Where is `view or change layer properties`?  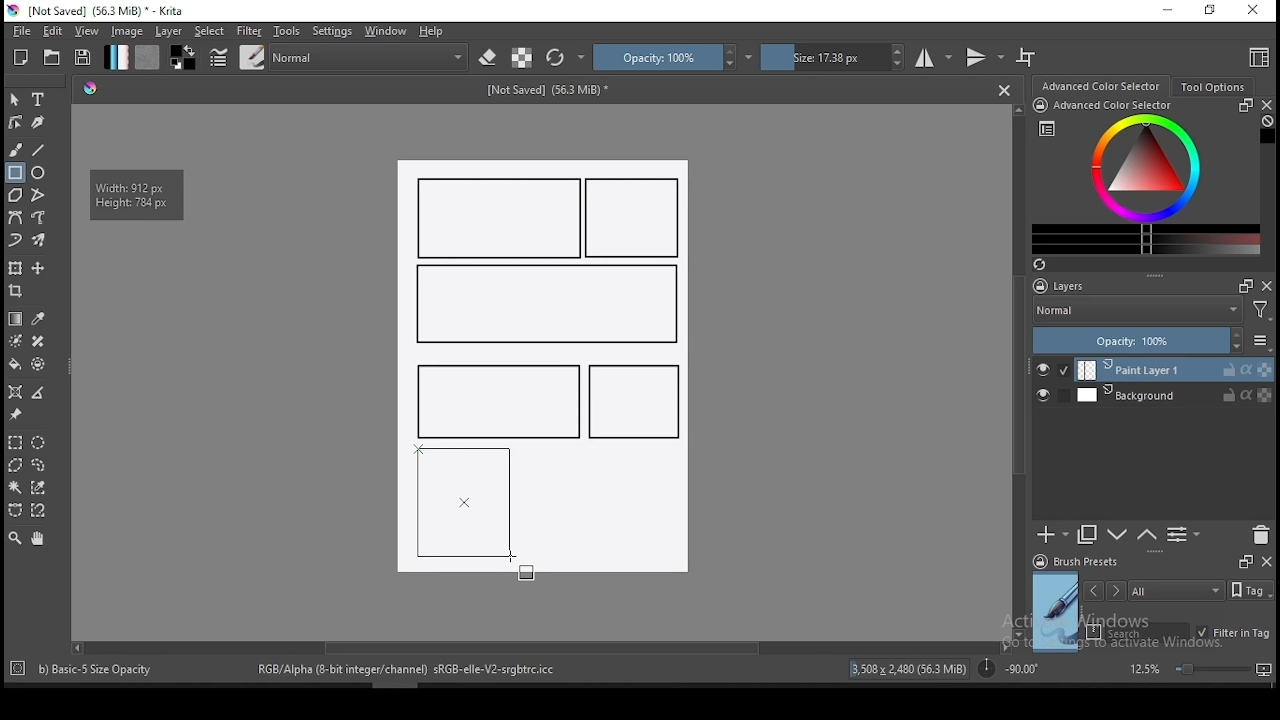 view or change layer properties is located at coordinates (1183, 534).